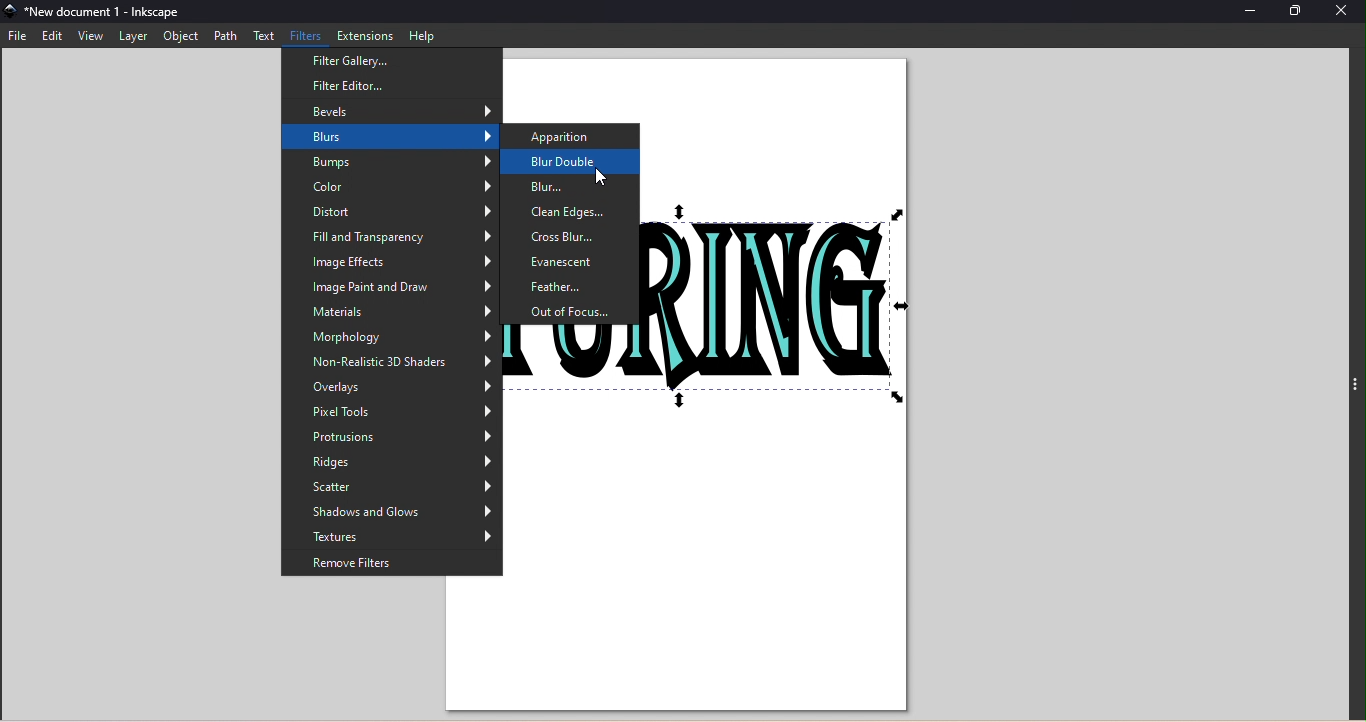 The image size is (1366, 722). I want to click on *New document 1 - Inkscape, so click(129, 14).